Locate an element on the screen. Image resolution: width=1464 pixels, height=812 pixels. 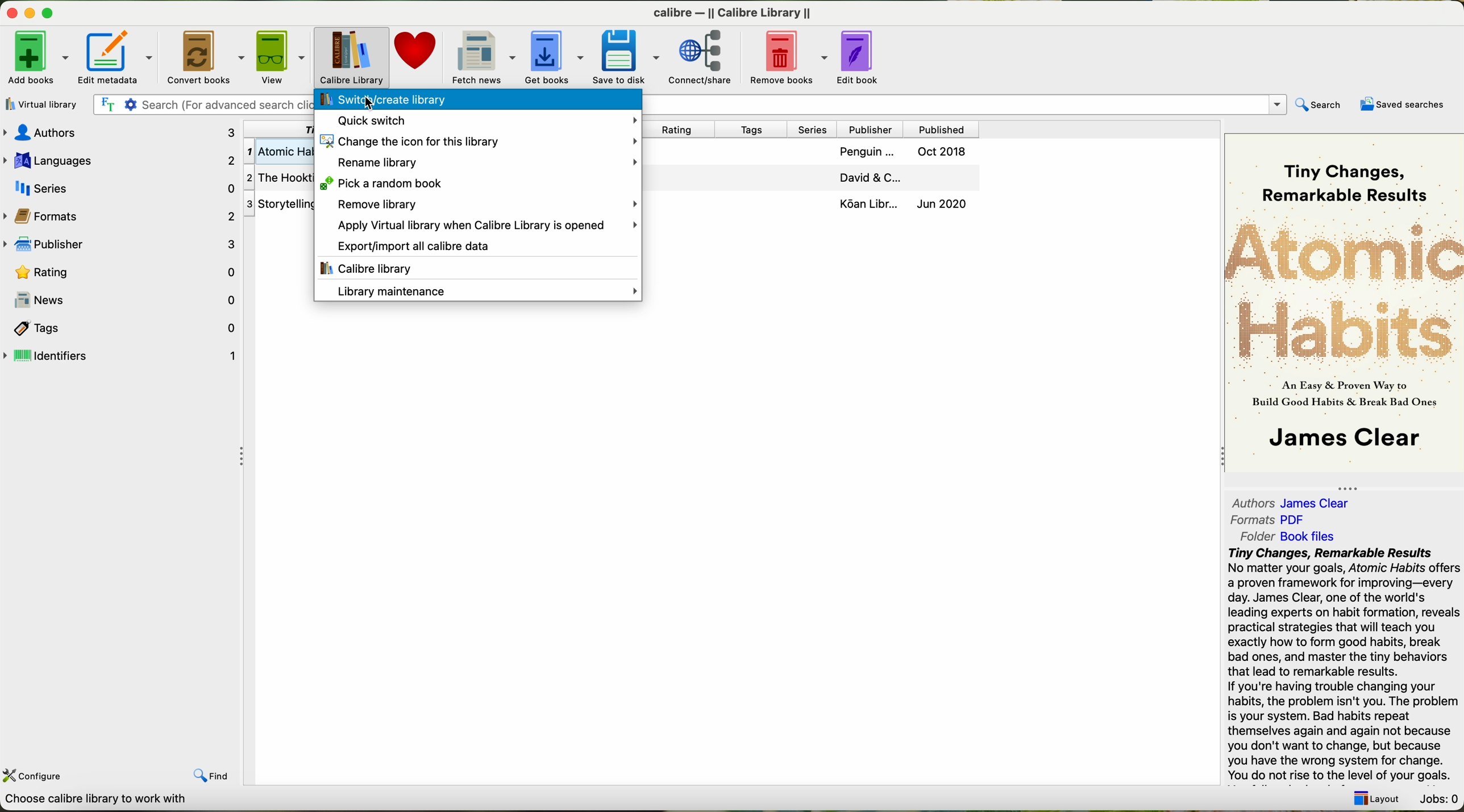
find is located at coordinates (207, 773).